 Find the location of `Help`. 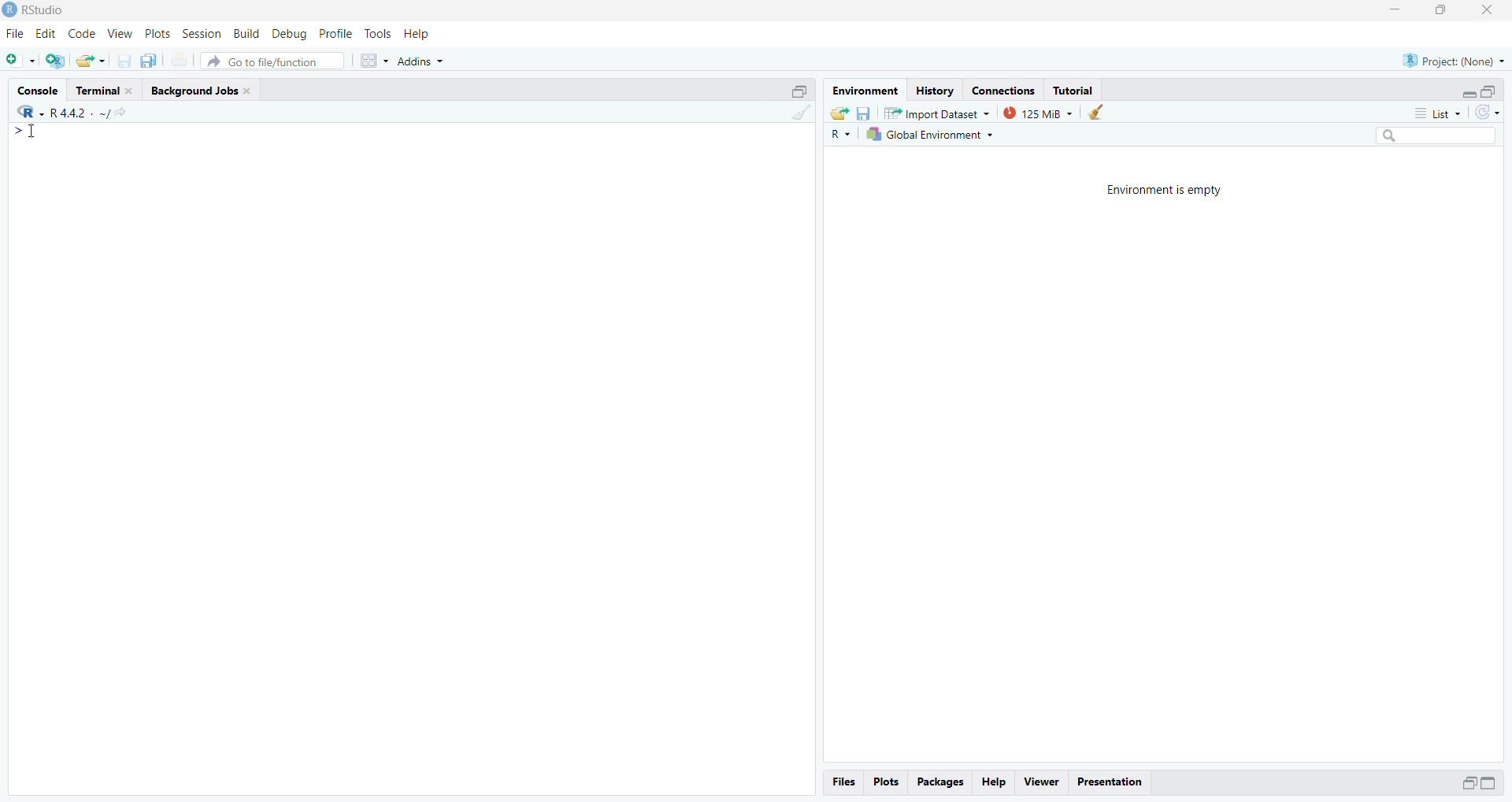

Help is located at coordinates (994, 783).